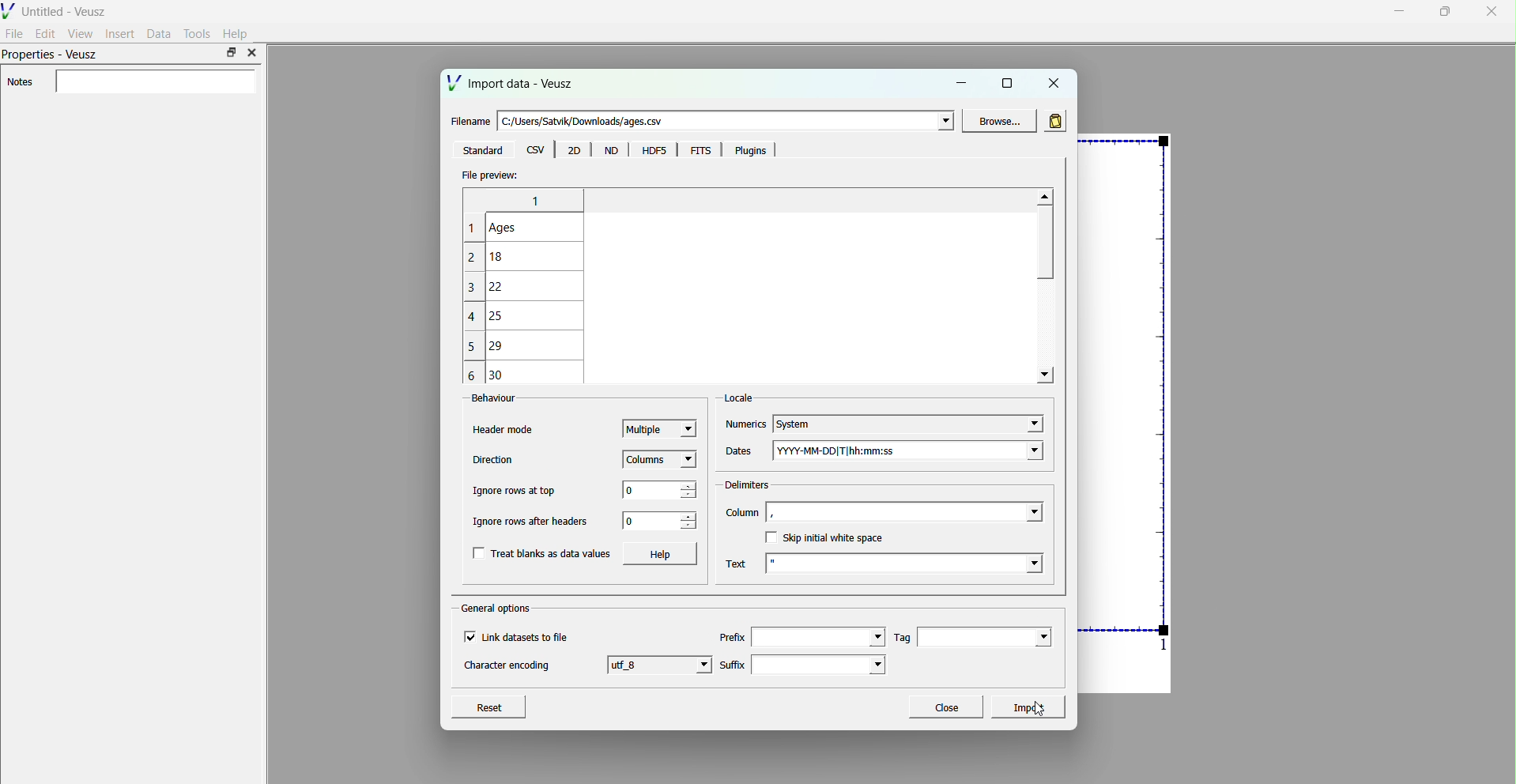 This screenshot has height=784, width=1516. I want to click on 29, so click(509, 345).